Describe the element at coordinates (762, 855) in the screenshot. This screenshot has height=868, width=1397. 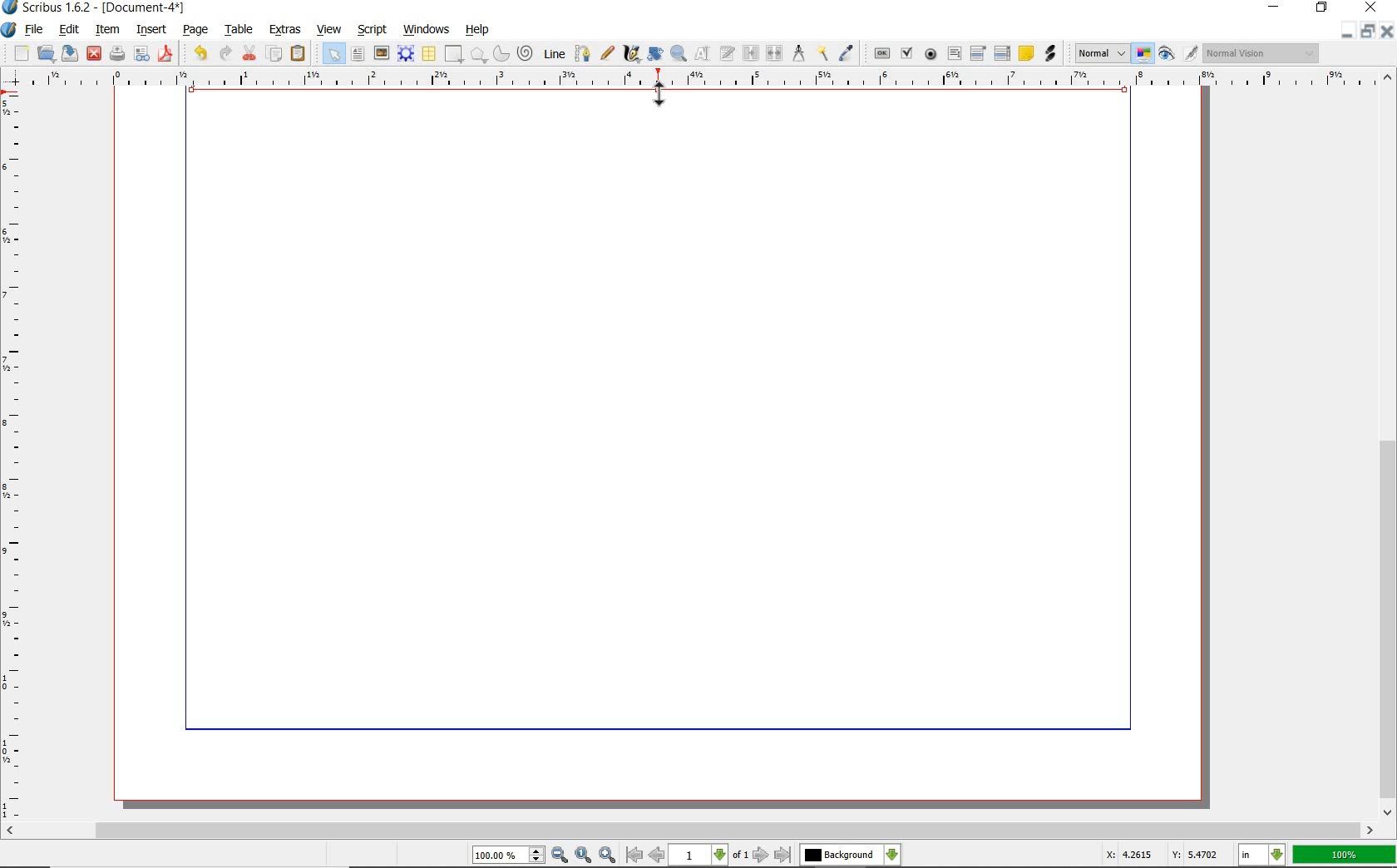
I see `go to next page` at that location.